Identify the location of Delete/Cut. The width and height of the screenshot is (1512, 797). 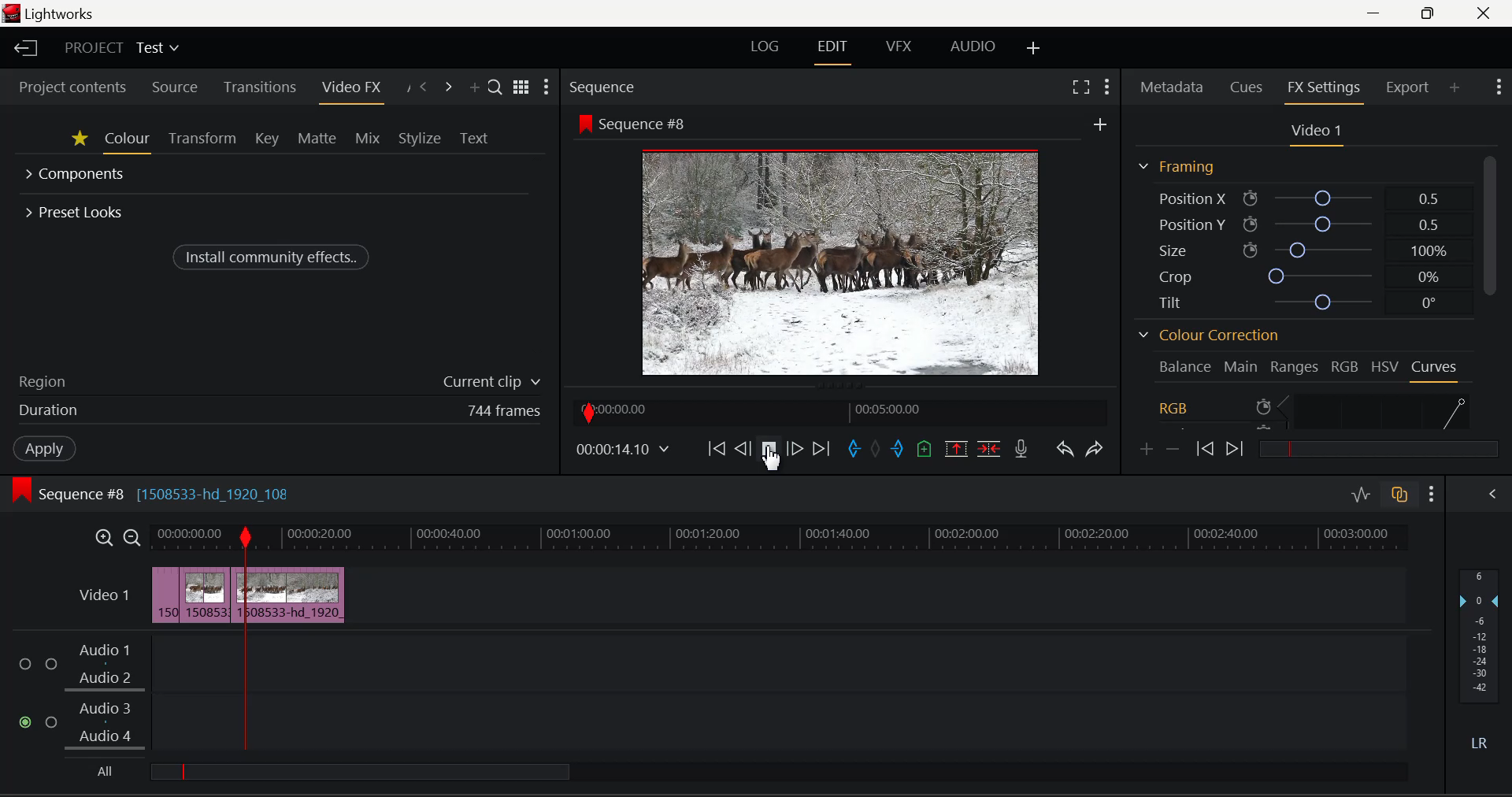
(989, 449).